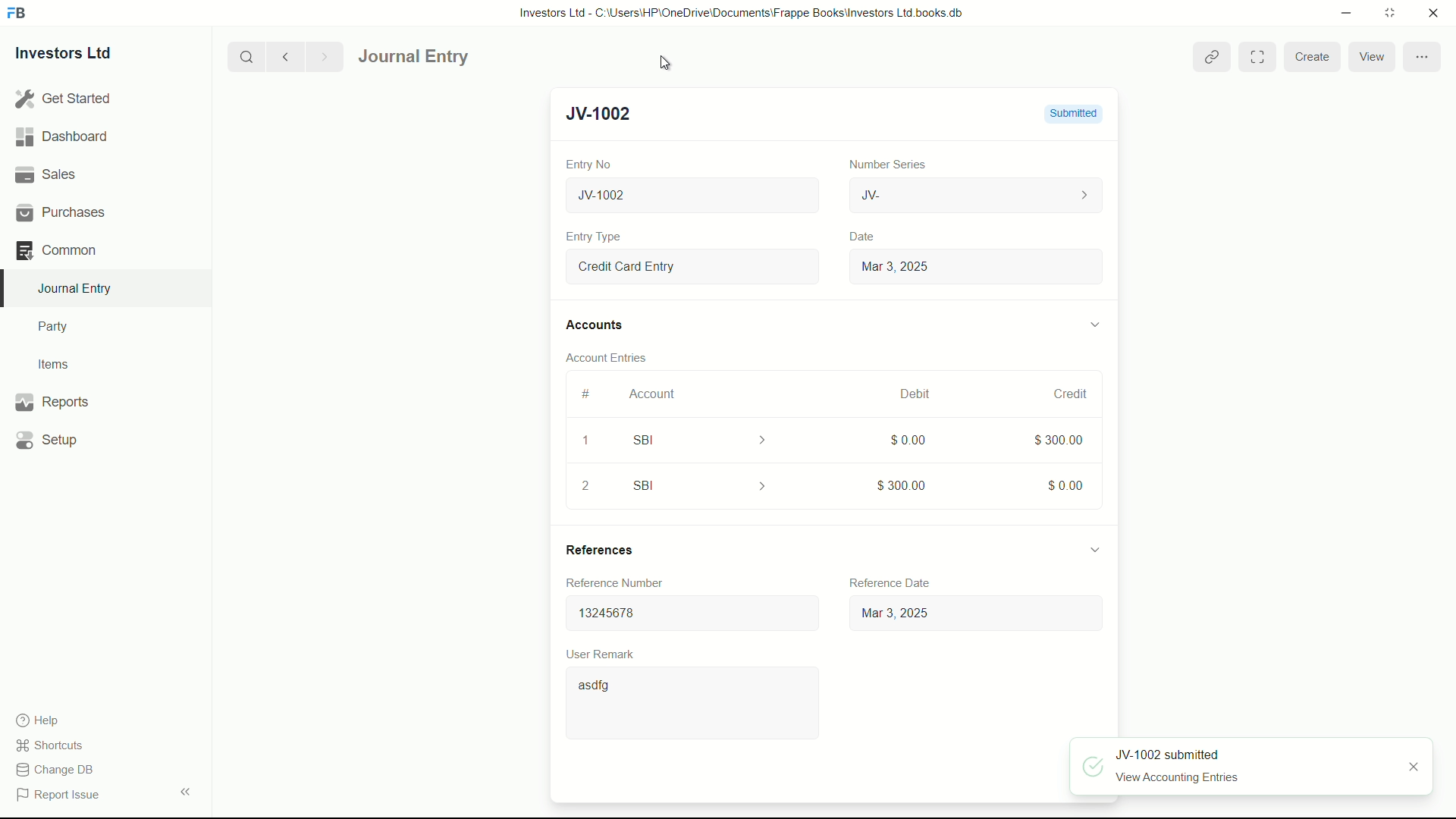 The image size is (1456, 819). What do you see at coordinates (1092, 768) in the screenshot?
I see `approved icon` at bounding box center [1092, 768].